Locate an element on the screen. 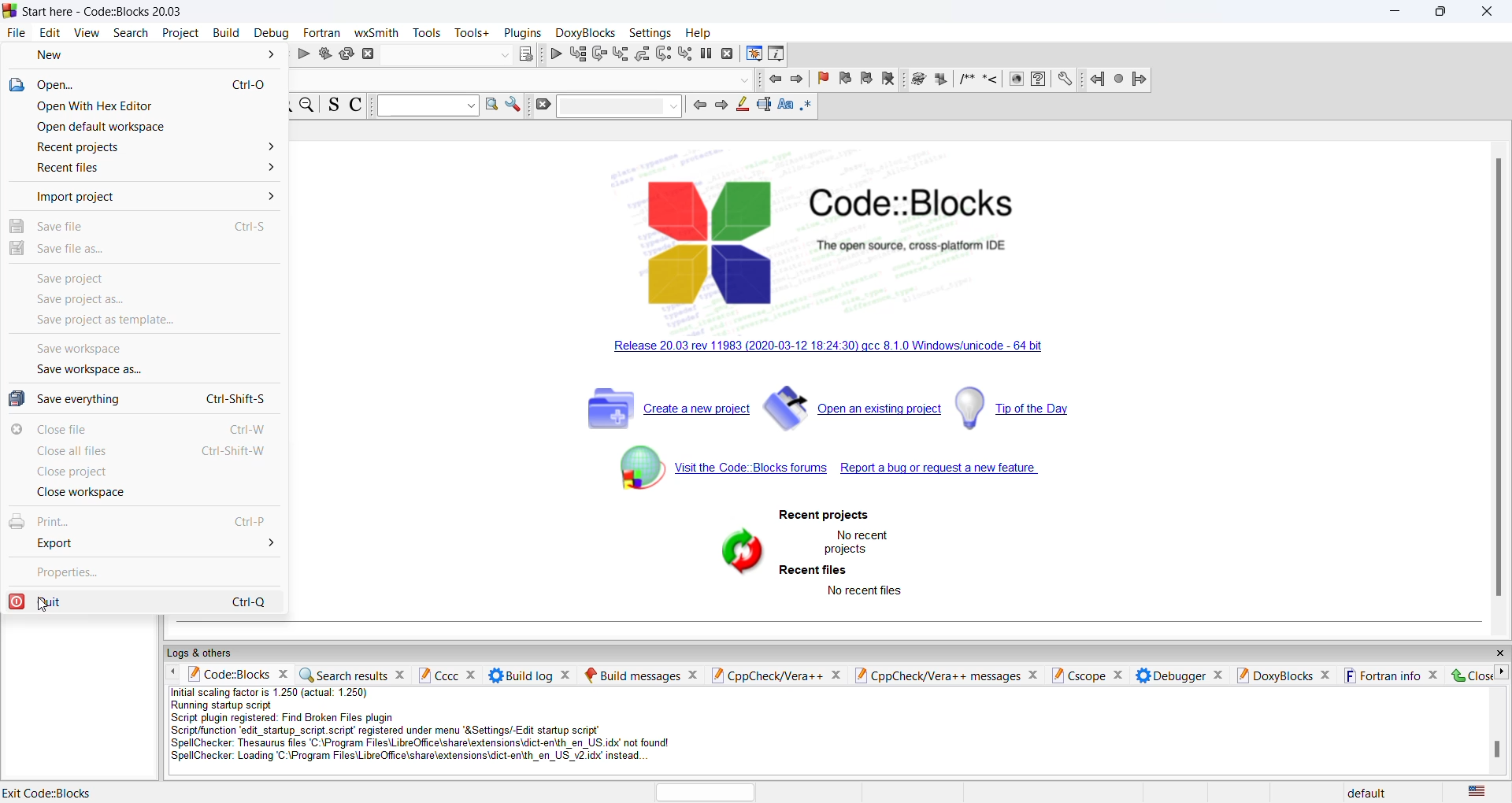  Save workspace as... is located at coordinates (88, 368).